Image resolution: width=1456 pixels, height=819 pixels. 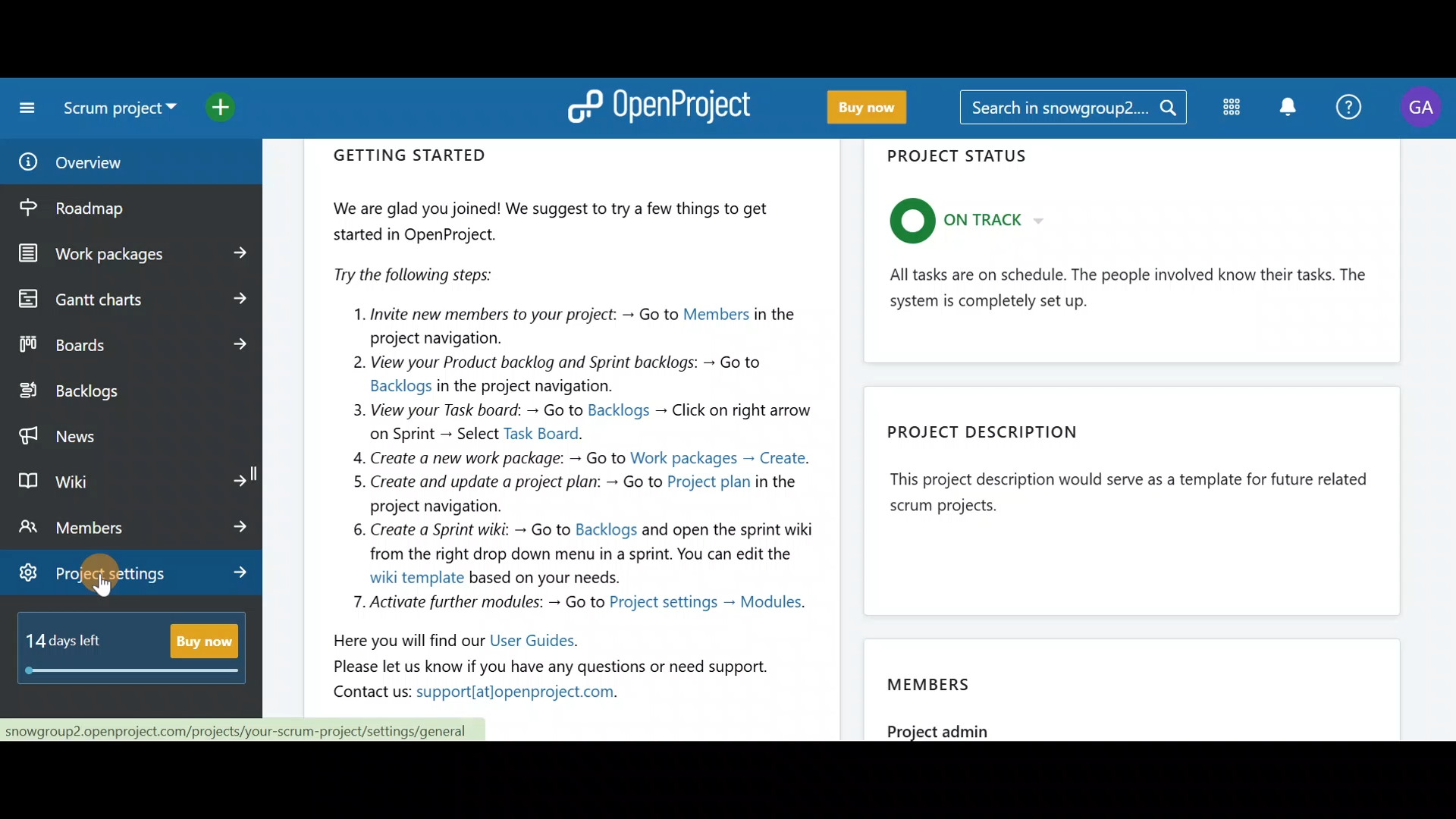 I want to click on Project settings, so click(x=135, y=576).